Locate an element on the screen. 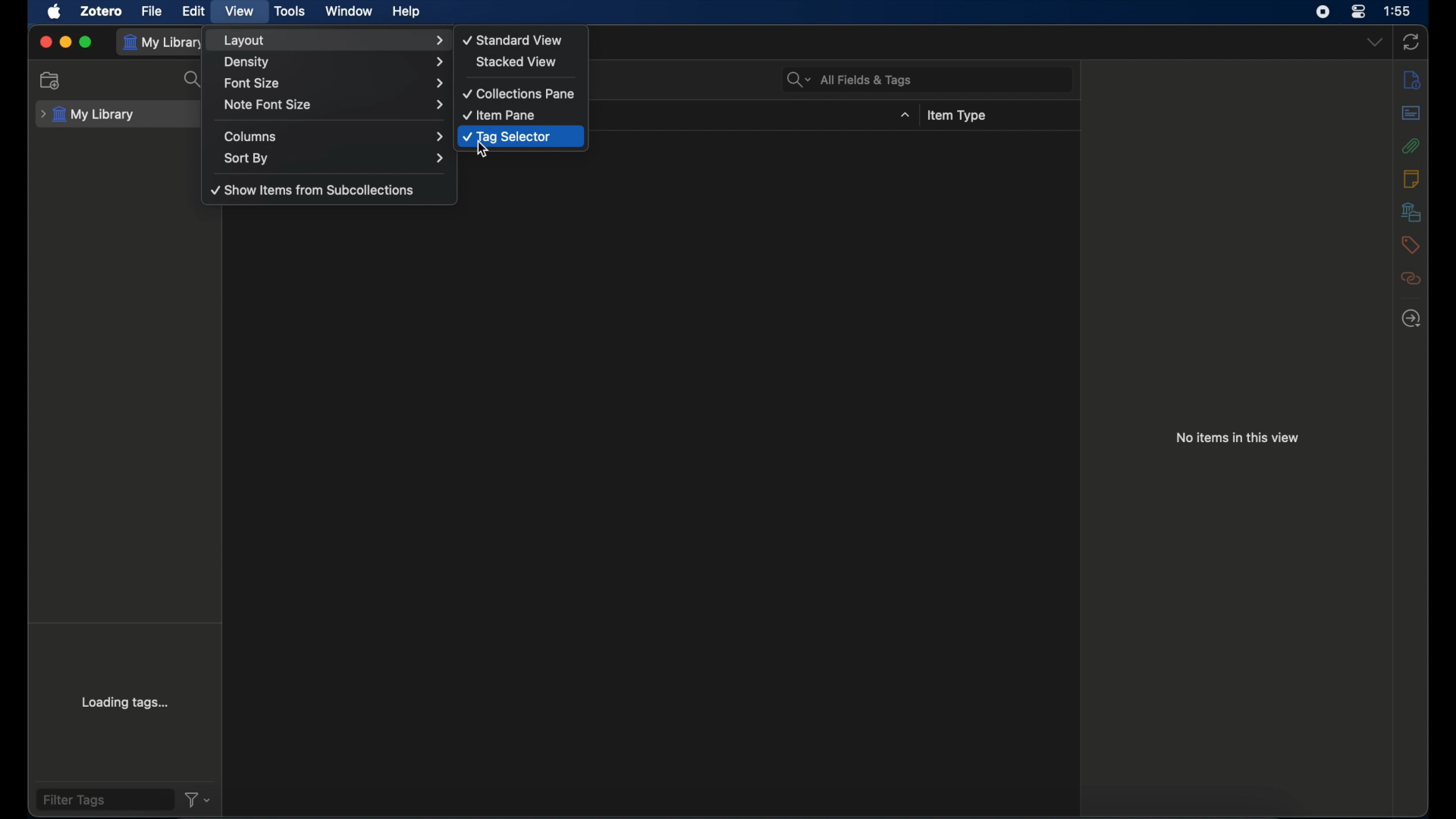  filter tags is located at coordinates (74, 801).